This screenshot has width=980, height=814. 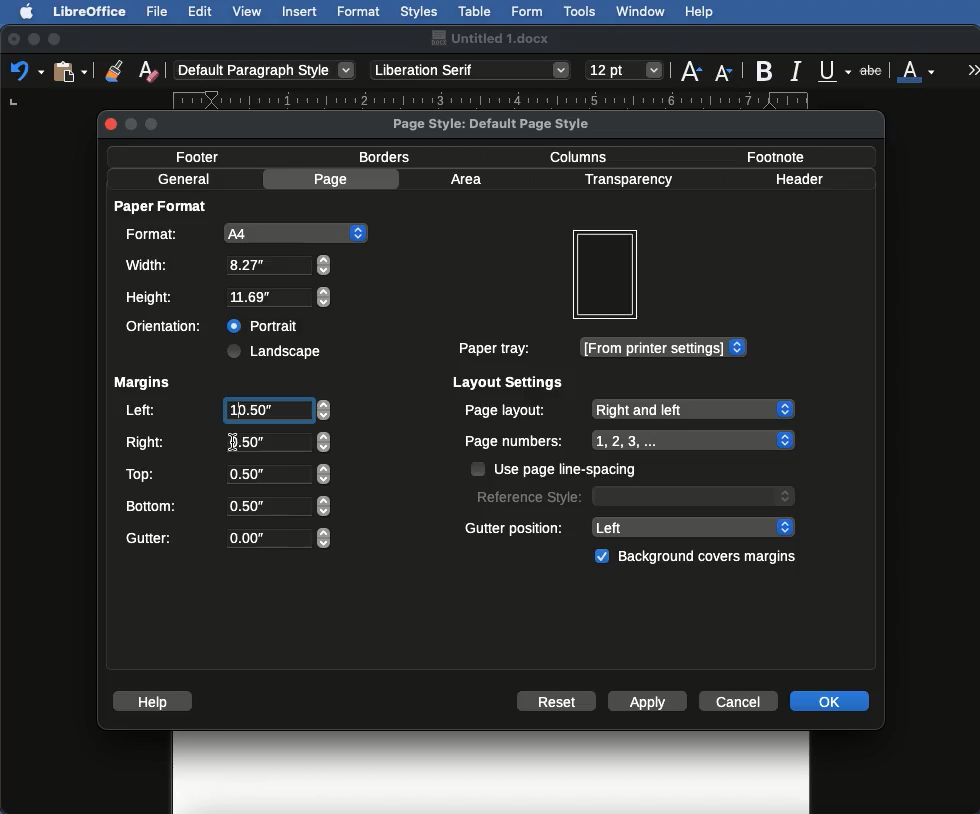 What do you see at coordinates (472, 70) in the screenshot?
I see `Font style` at bounding box center [472, 70].